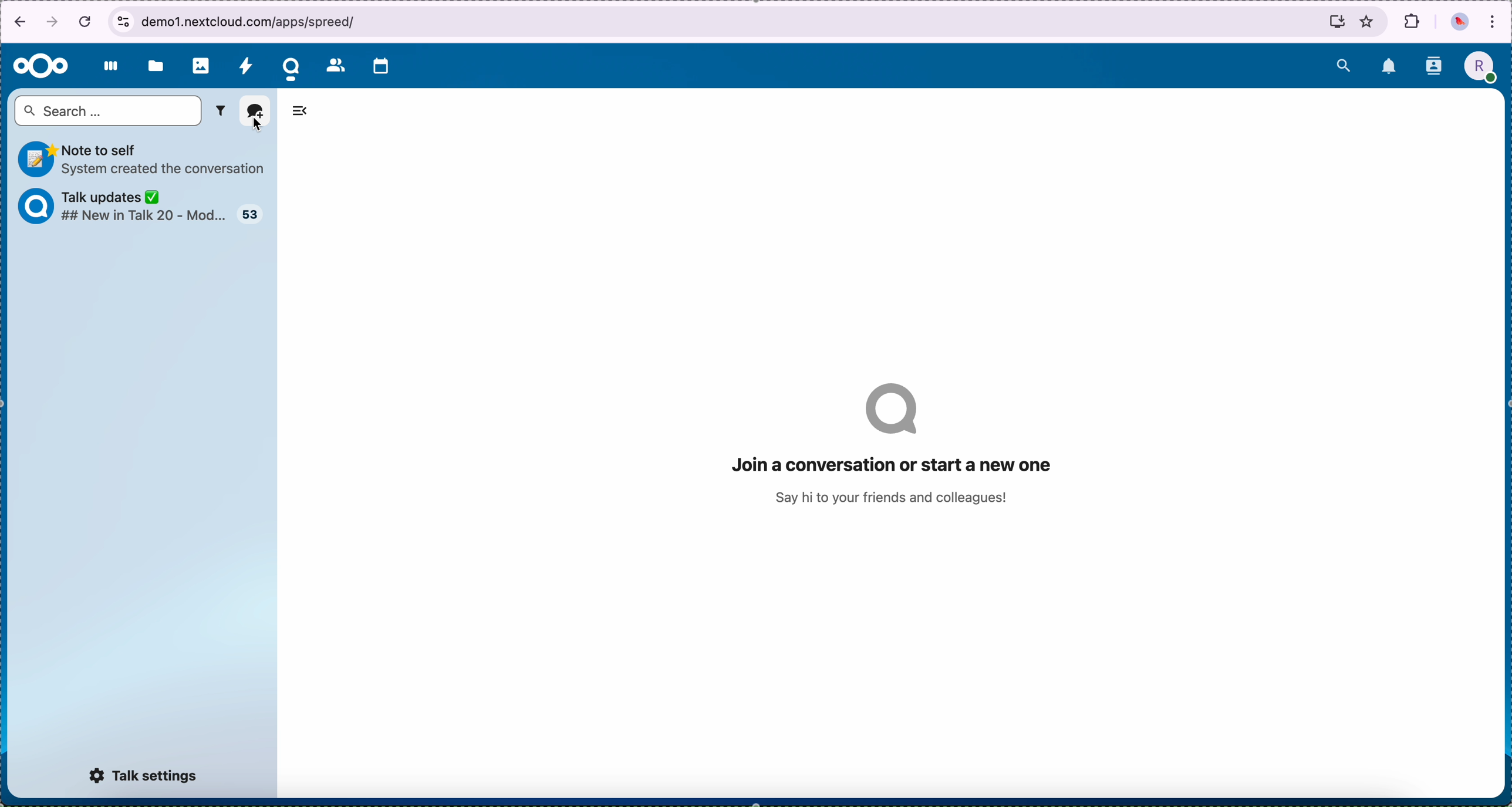  What do you see at coordinates (157, 64) in the screenshot?
I see `files` at bounding box center [157, 64].